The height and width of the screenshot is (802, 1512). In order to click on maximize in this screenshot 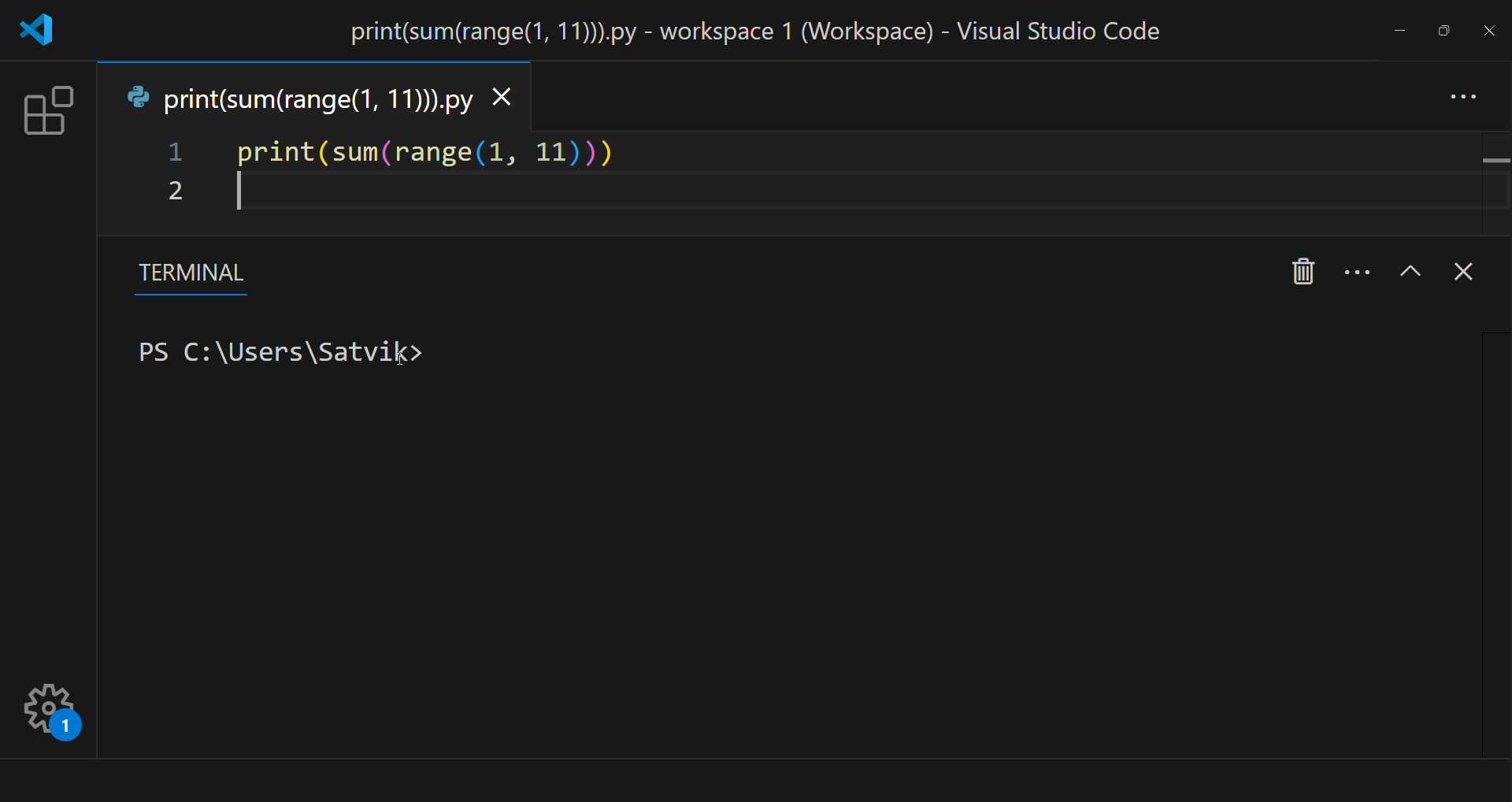, I will do `click(1443, 28)`.